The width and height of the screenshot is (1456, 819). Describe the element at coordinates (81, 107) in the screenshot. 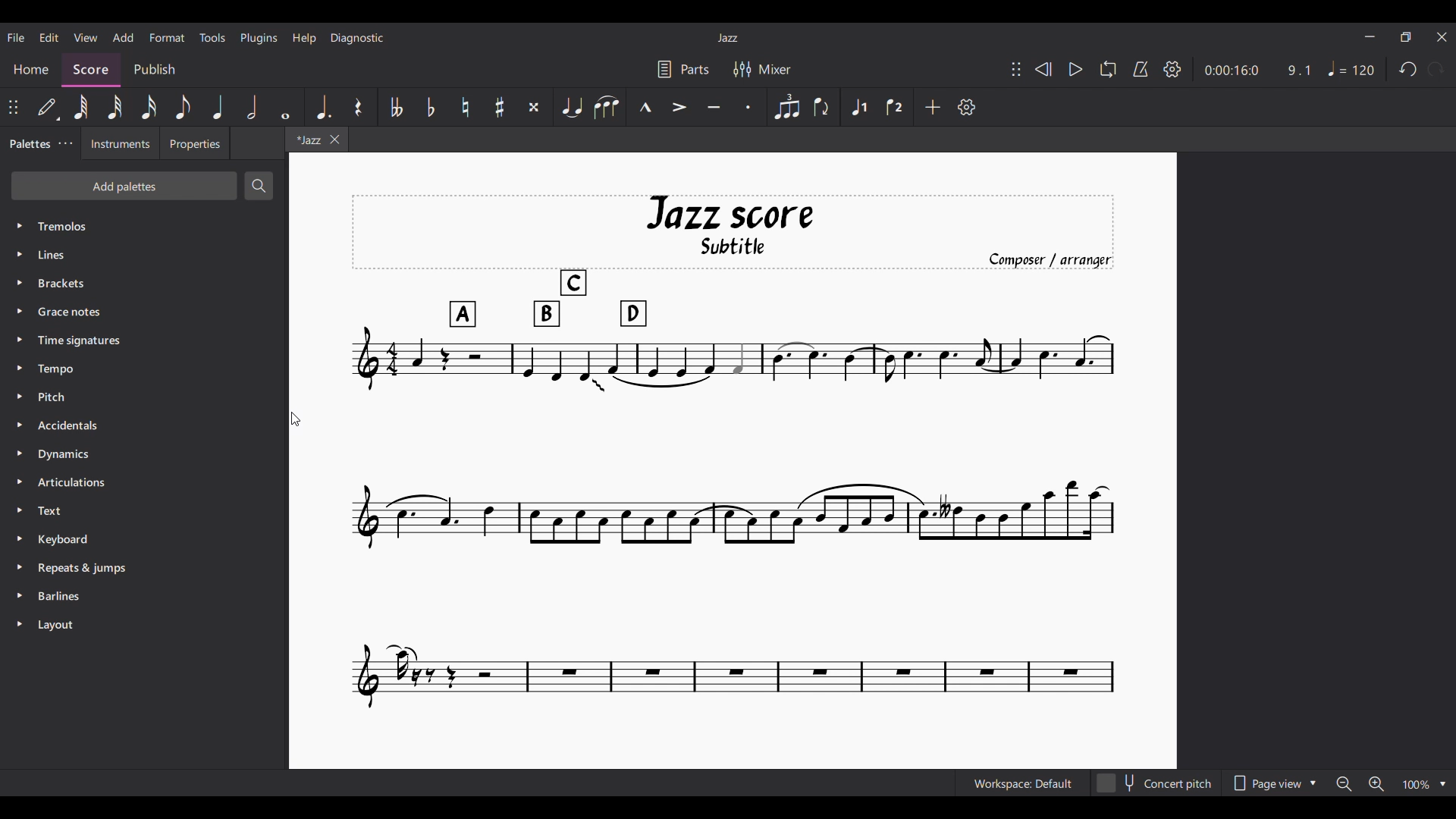

I see `64th note` at that location.